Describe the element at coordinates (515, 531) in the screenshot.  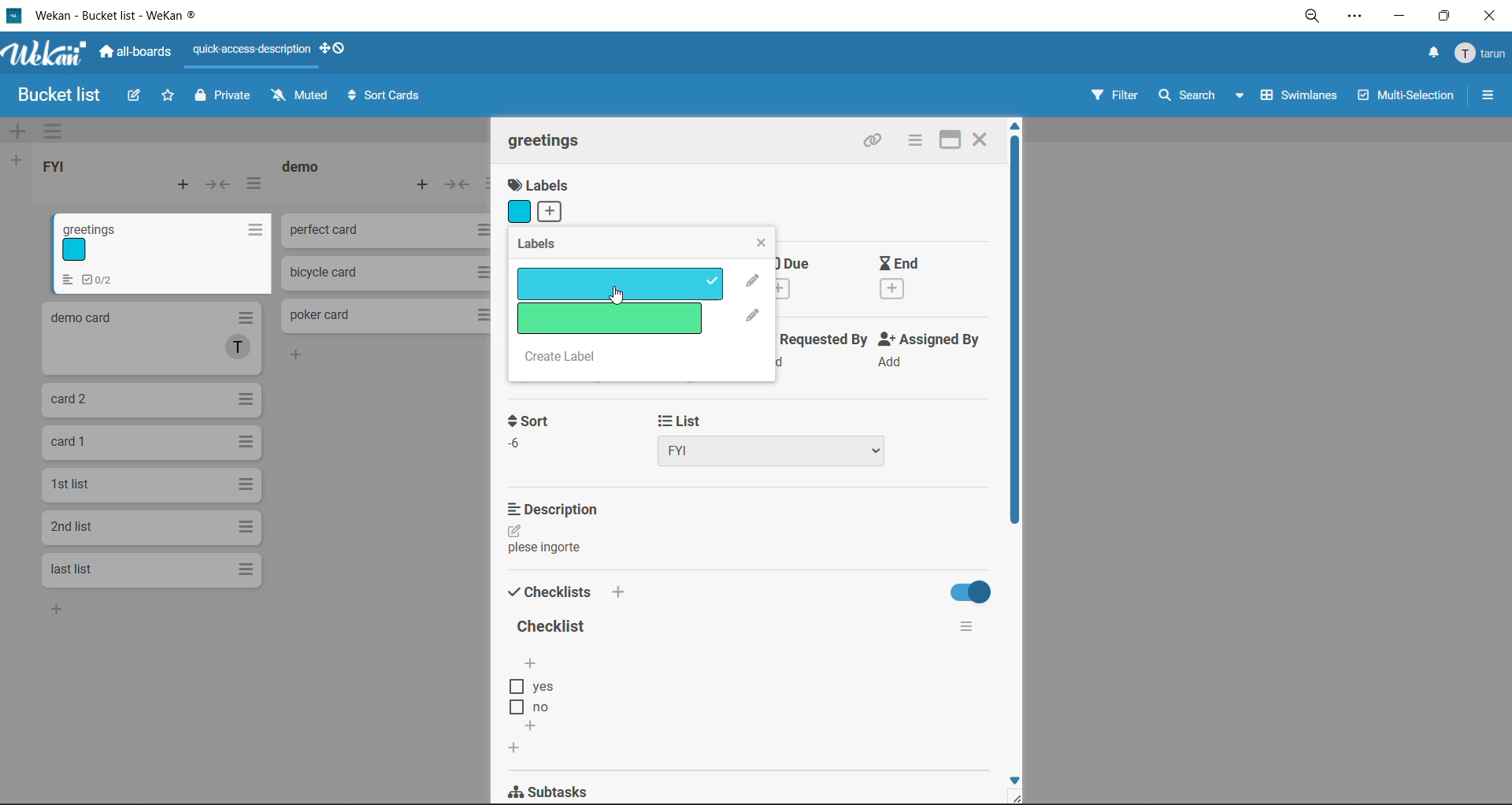
I see `edit` at that location.